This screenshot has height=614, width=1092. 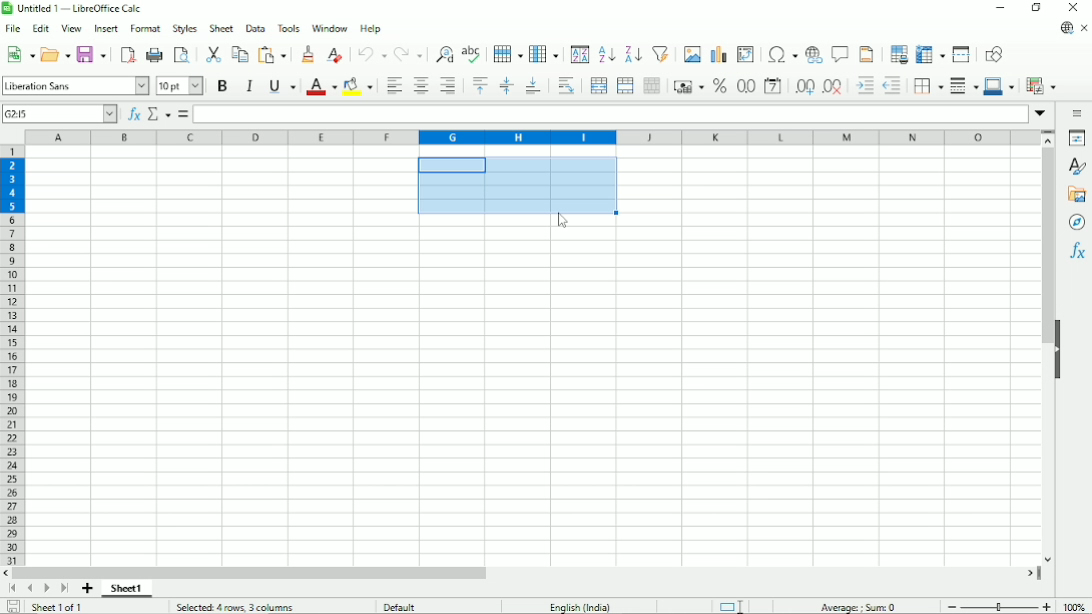 I want to click on Gallery, so click(x=1077, y=195).